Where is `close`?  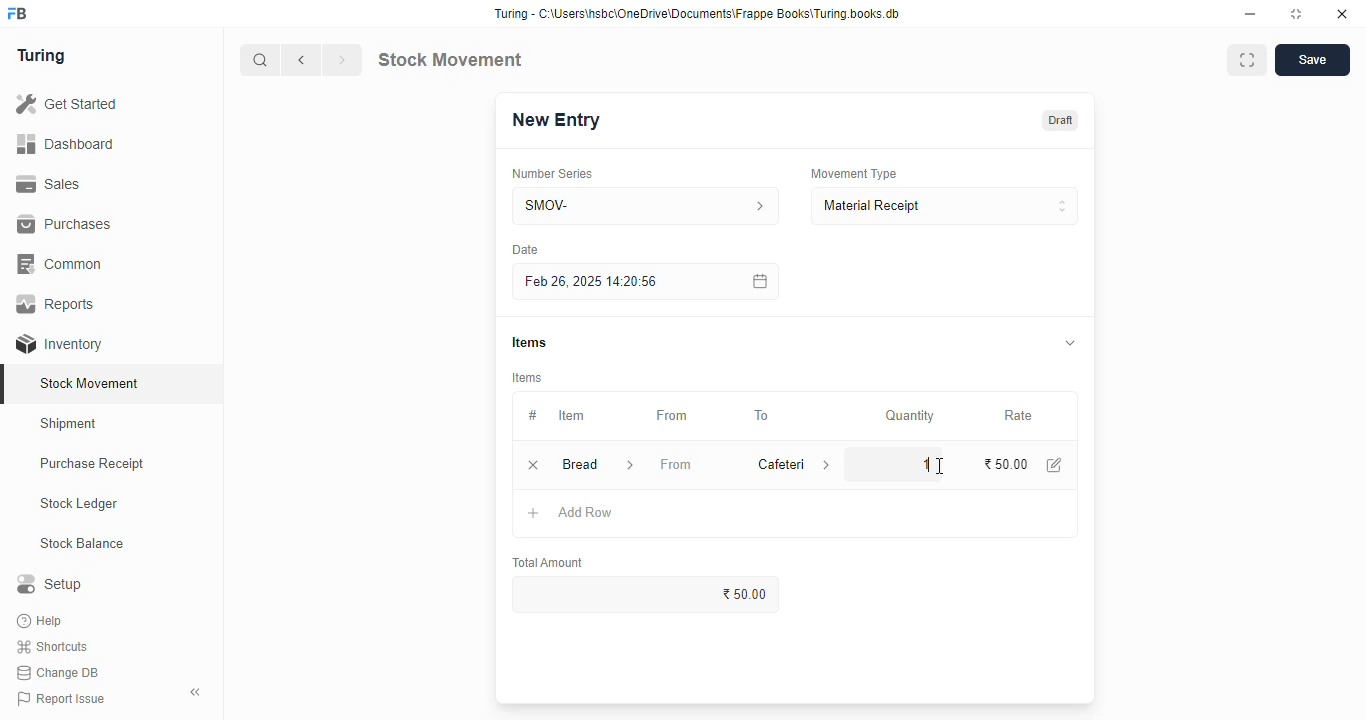
close is located at coordinates (1342, 14).